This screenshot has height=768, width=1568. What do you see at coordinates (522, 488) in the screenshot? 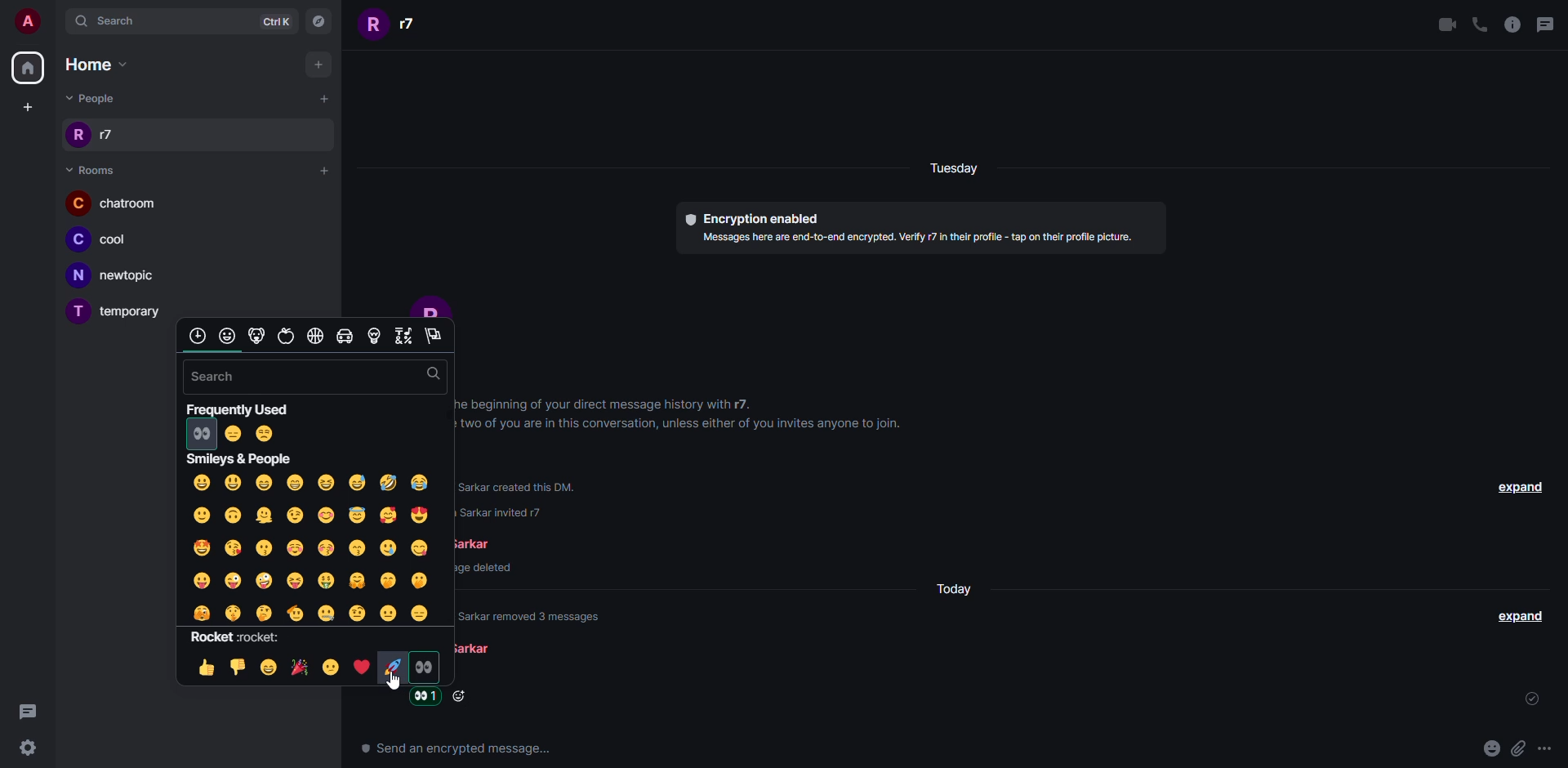
I see `text` at bounding box center [522, 488].